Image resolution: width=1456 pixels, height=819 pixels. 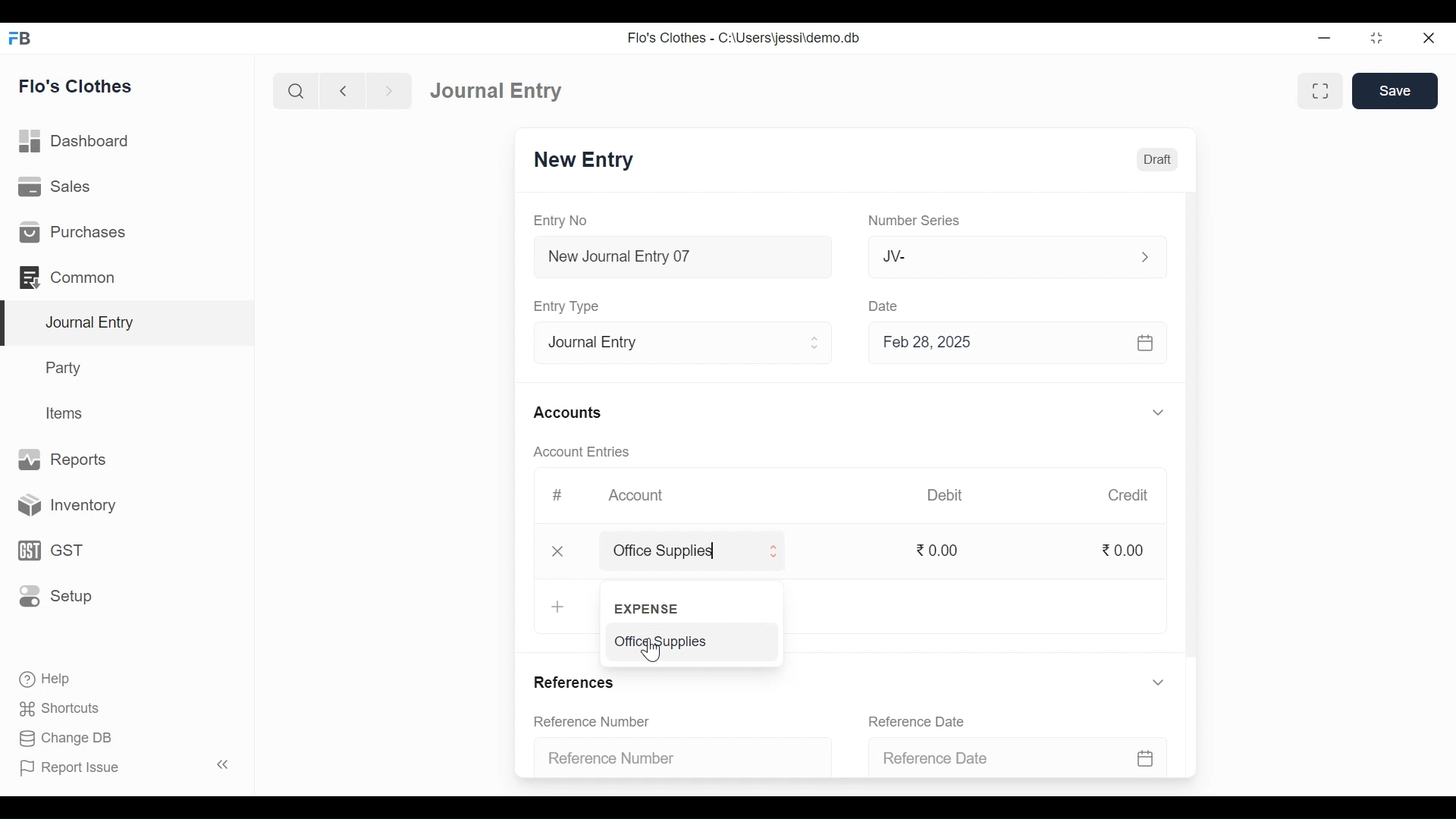 I want to click on Number Series, so click(x=915, y=221).